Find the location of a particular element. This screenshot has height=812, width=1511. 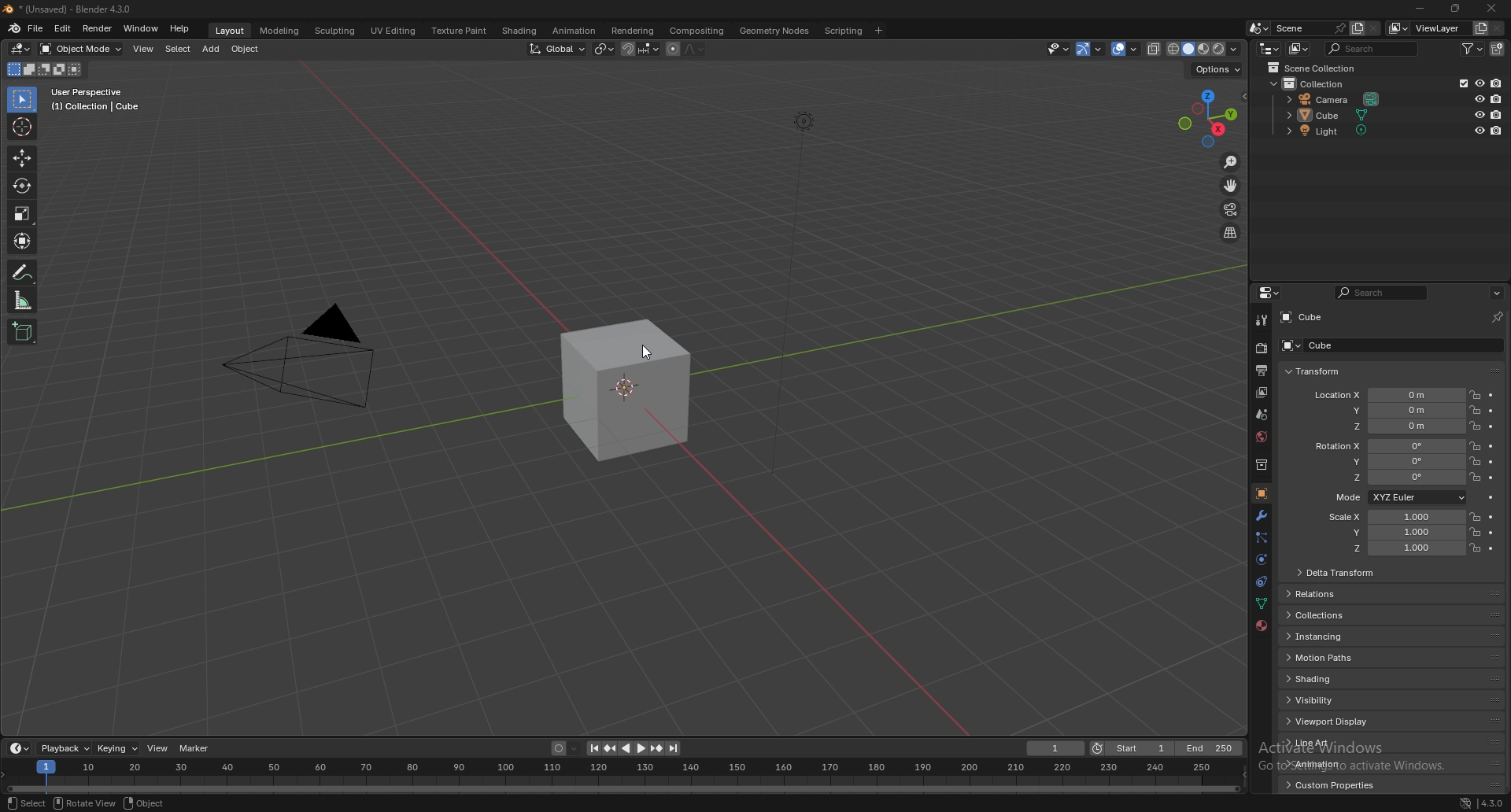

animate property is located at coordinates (1493, 549).